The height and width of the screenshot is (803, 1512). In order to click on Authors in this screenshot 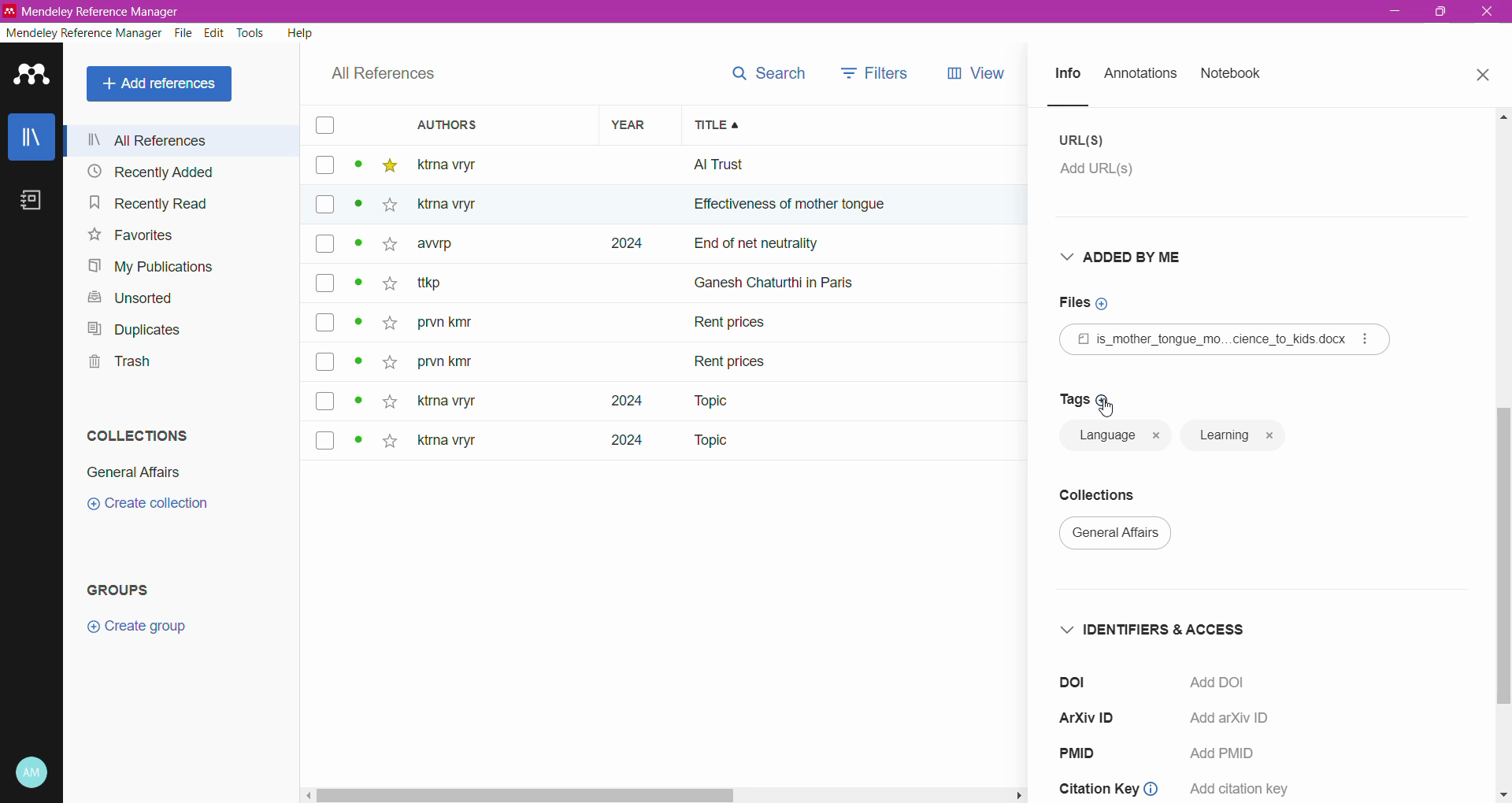, I will do `click(486, 124)`.